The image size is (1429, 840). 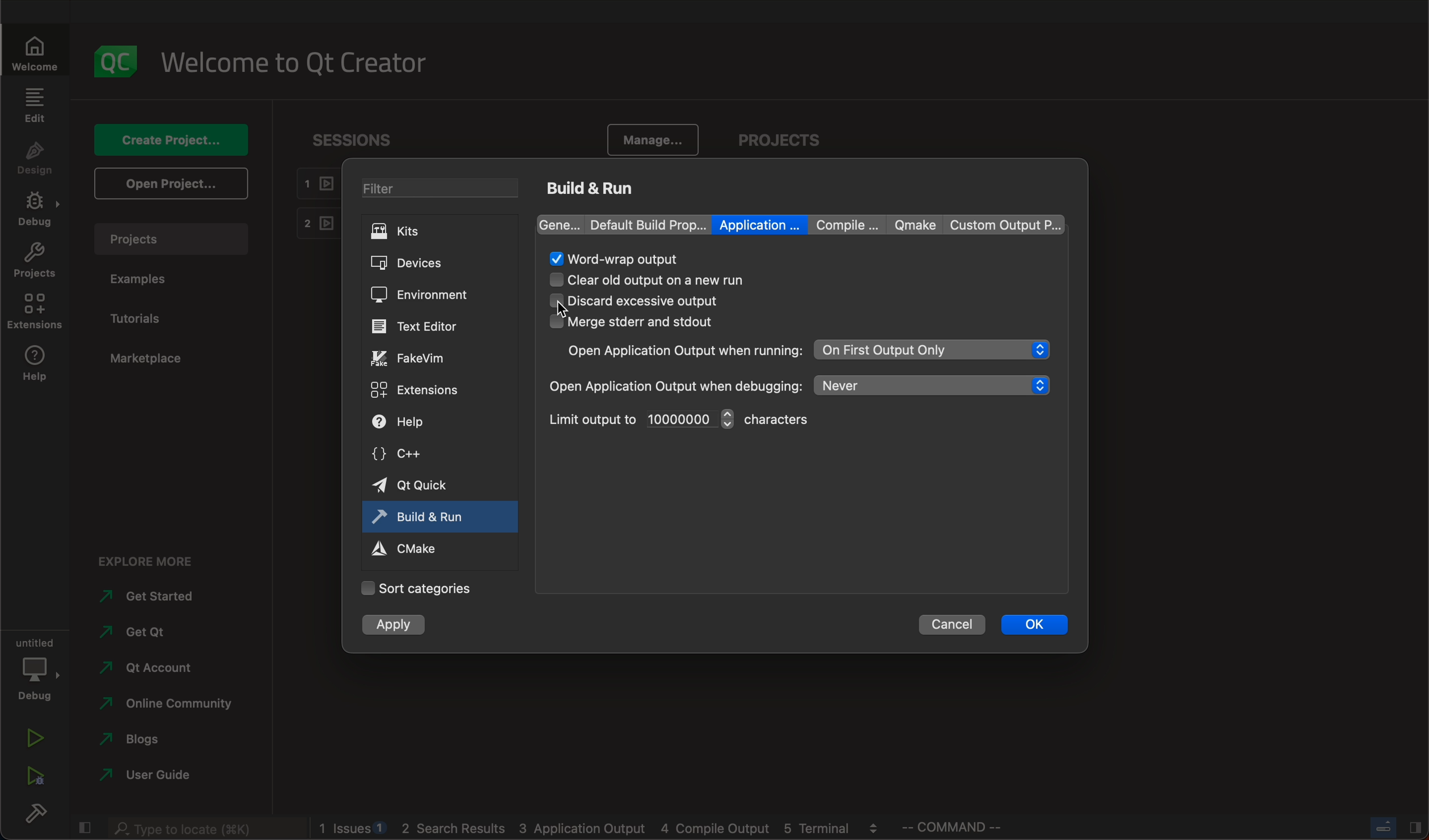 I want to click on ok, so click(x=1033, y=624).